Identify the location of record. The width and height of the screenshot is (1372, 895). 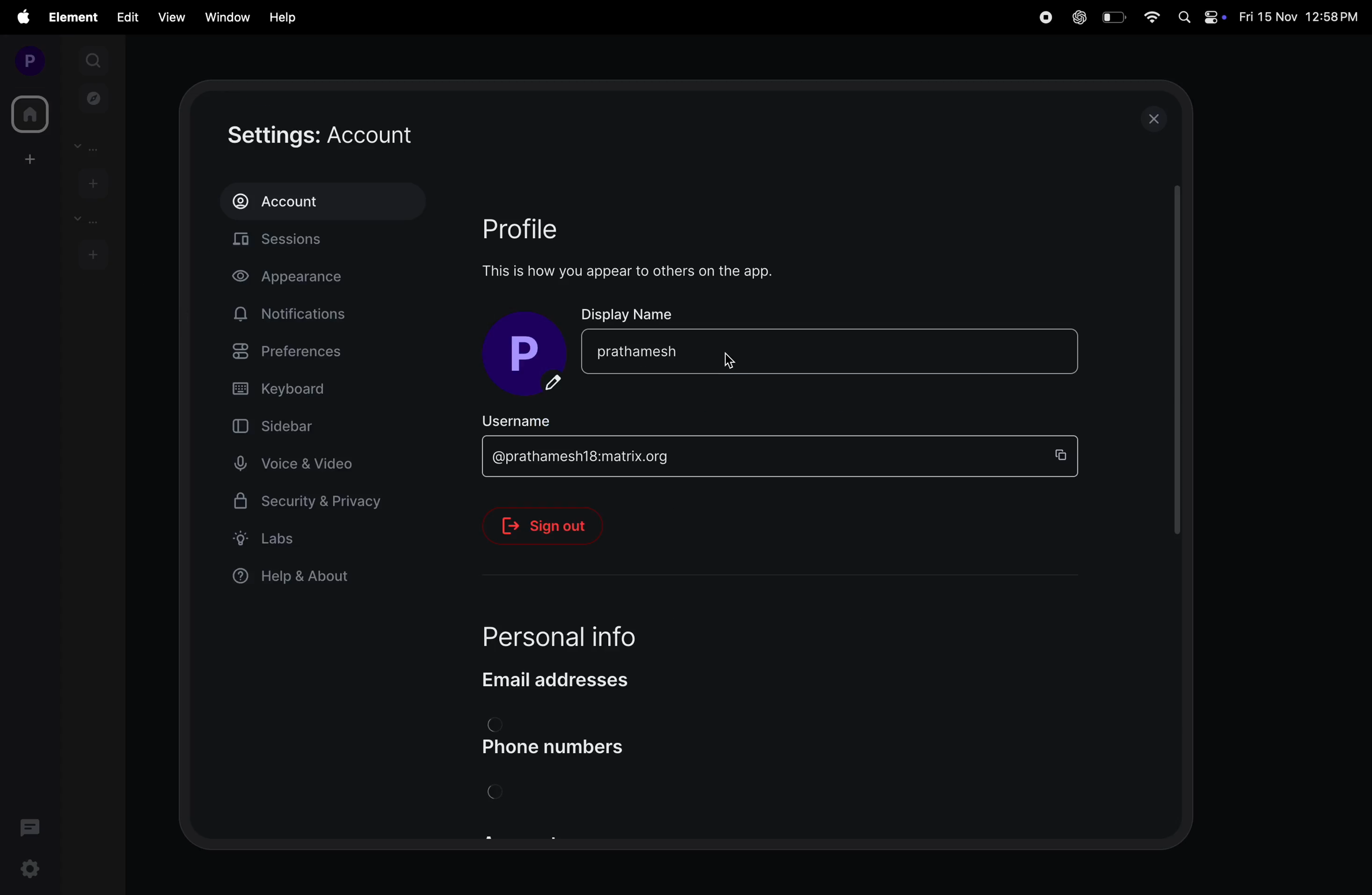
(1043, 17).